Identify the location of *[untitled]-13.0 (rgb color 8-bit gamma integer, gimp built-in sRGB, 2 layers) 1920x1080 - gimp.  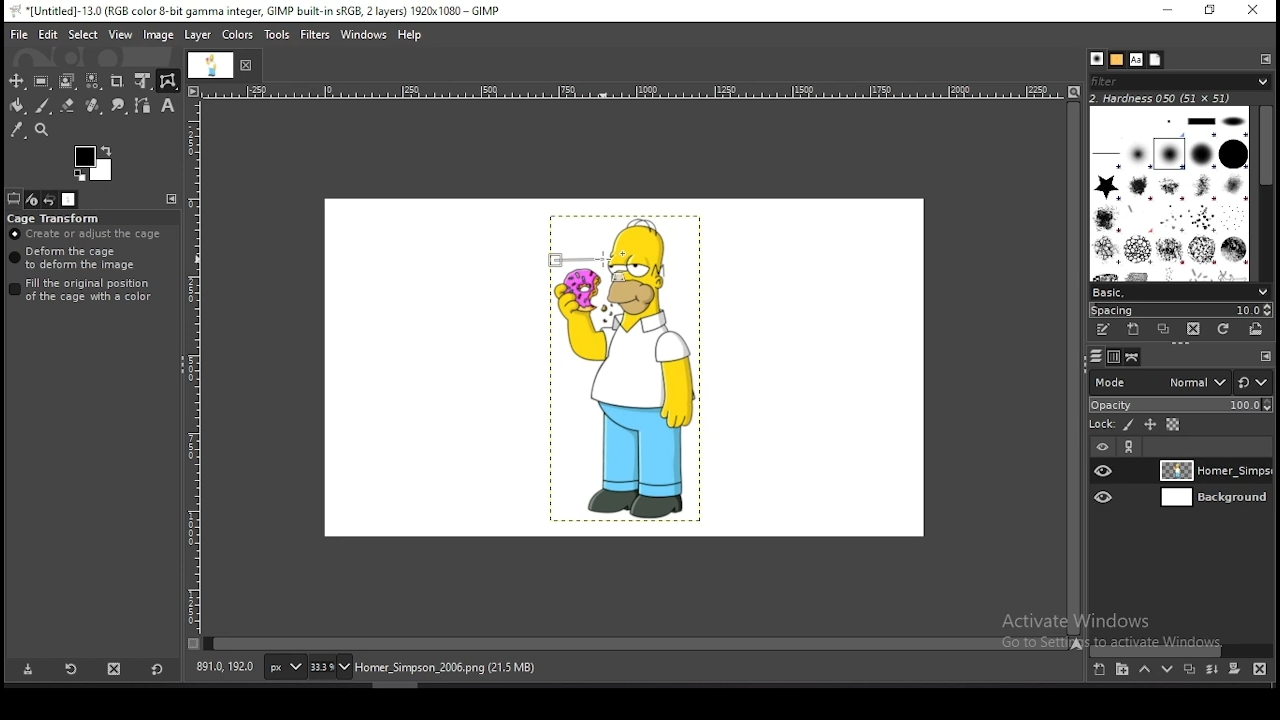
(261, 11).